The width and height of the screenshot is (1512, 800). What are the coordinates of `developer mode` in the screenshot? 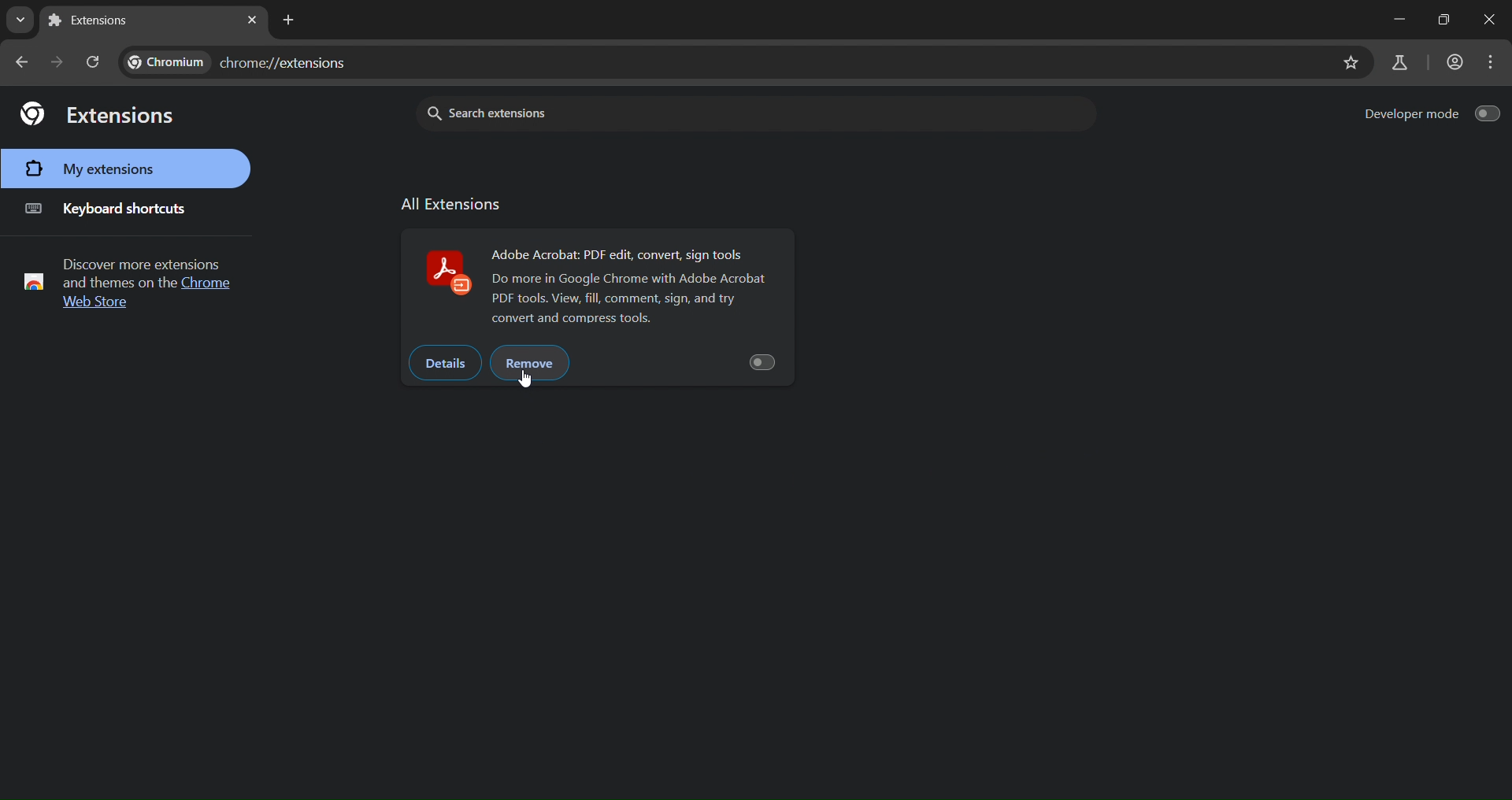 It's located at (1432, 110).